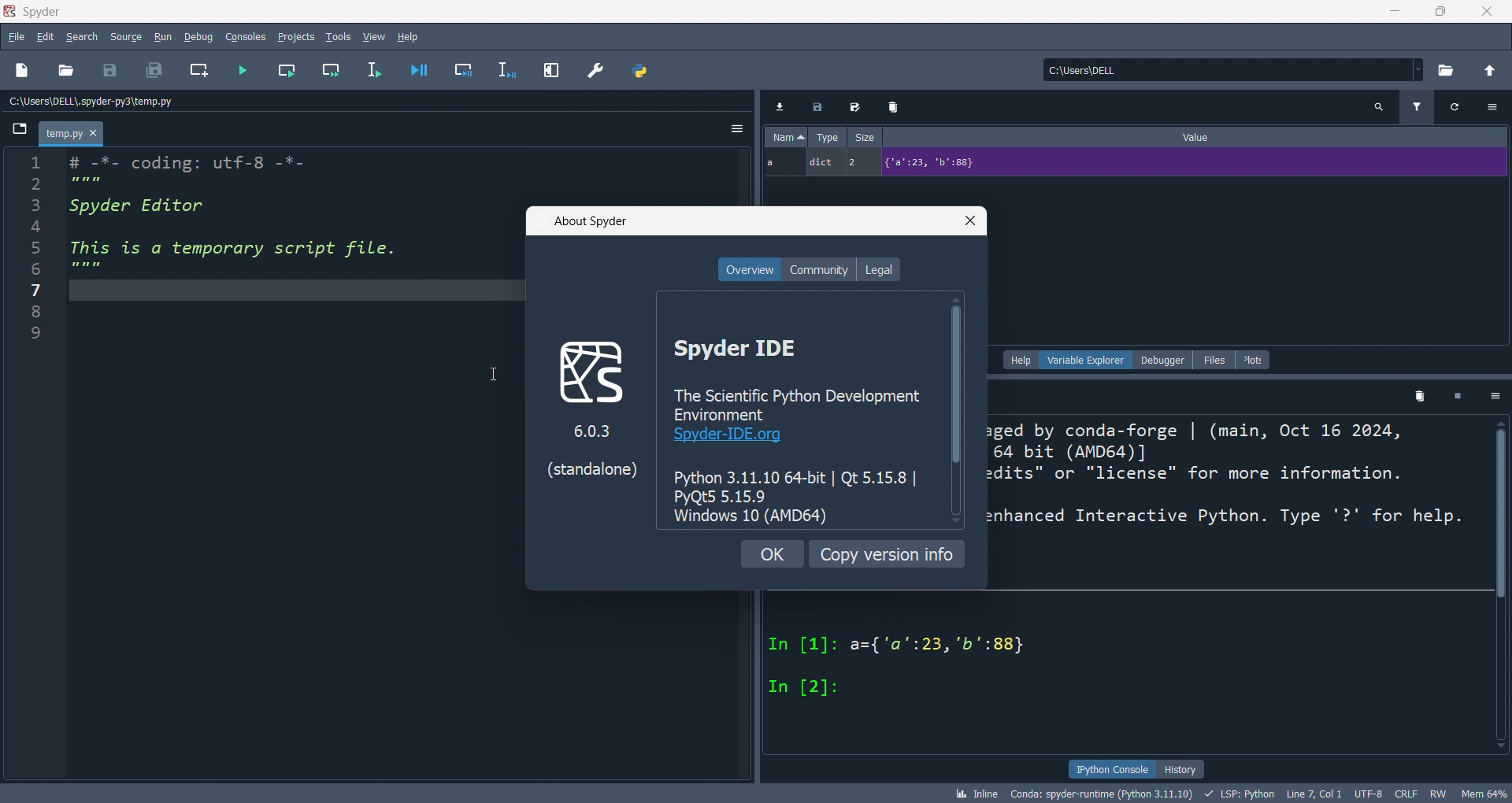 Image resolution: width=1512 pixels, height=803 pixels. I want to click on community, so click(820, 269).